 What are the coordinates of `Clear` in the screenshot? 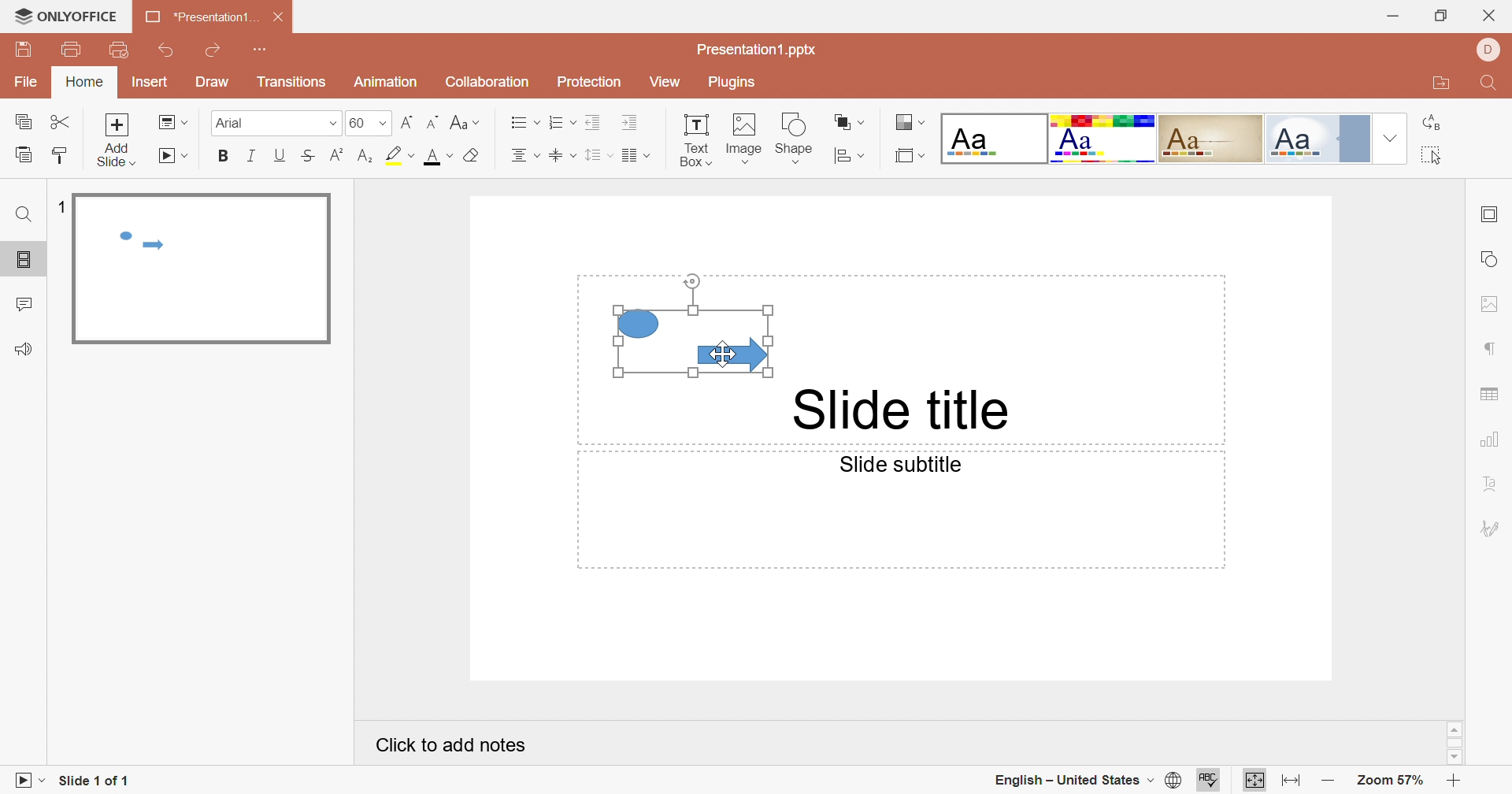 It's located at (473, 155).